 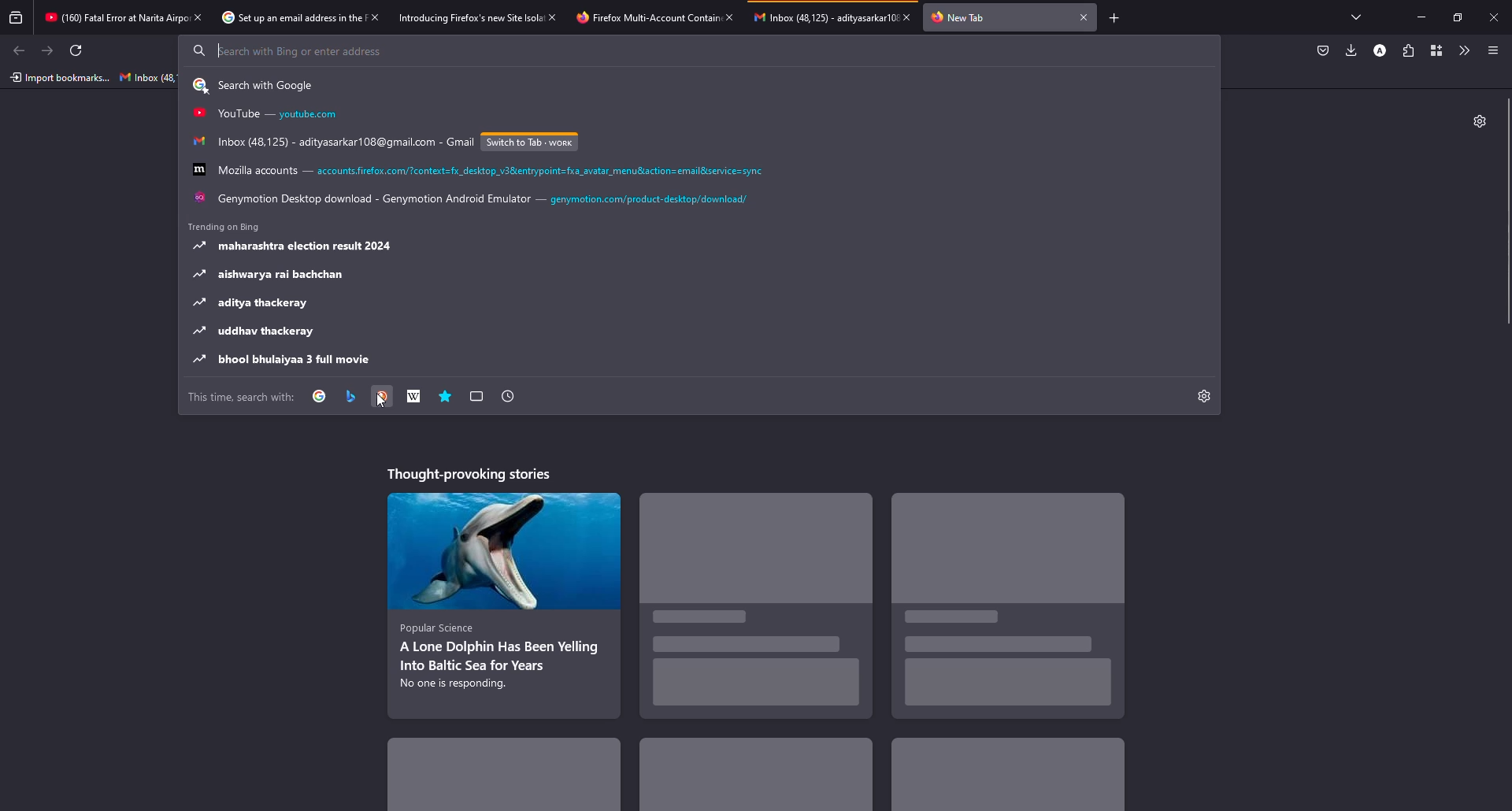 What do you see at coordinates (634, 19) in the screenshot?
I see `tab` at bounding box center [634, 19].